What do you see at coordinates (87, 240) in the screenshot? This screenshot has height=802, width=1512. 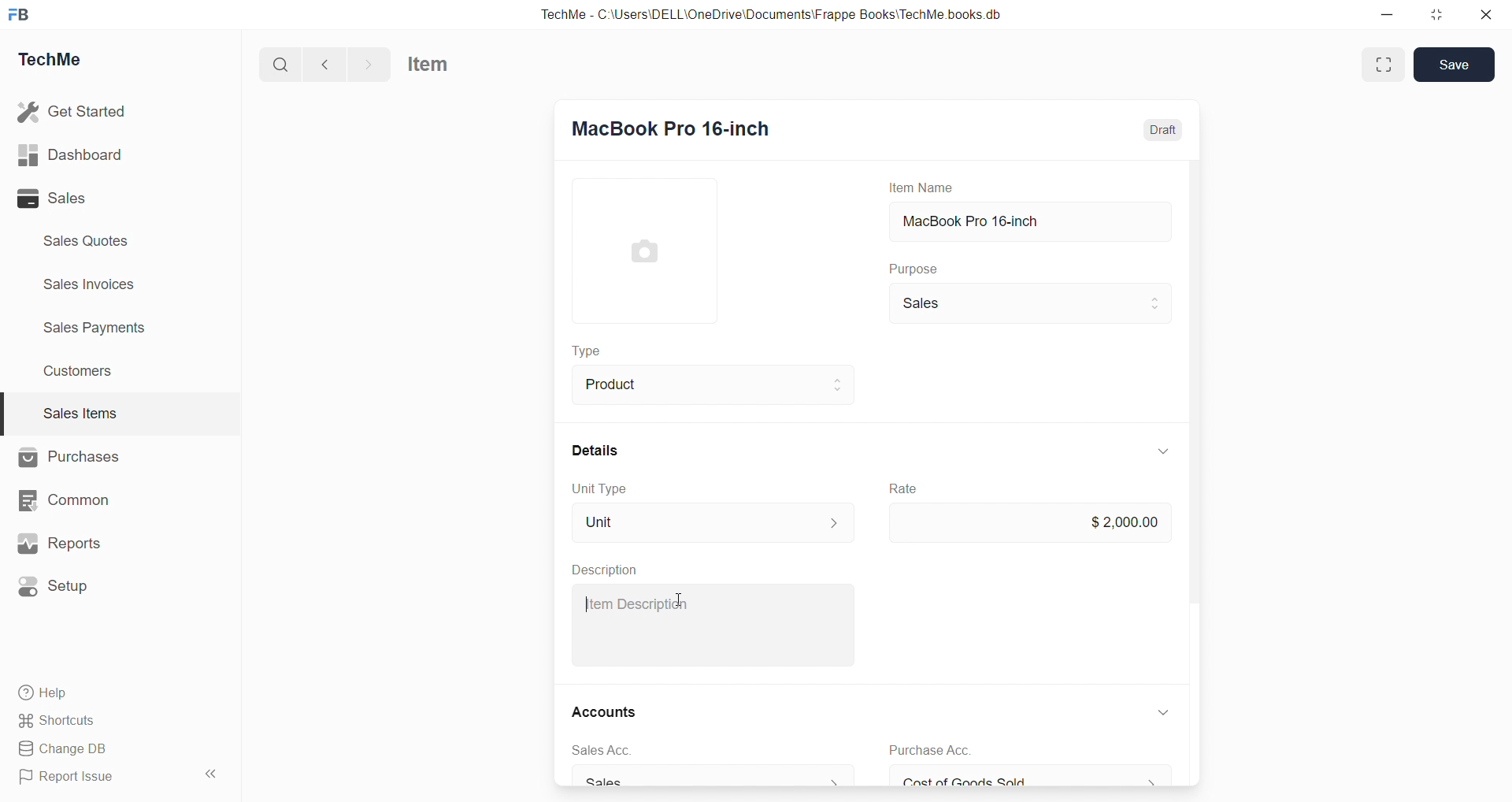 I see `Sales Quotes` at bounding box center [87, 240].